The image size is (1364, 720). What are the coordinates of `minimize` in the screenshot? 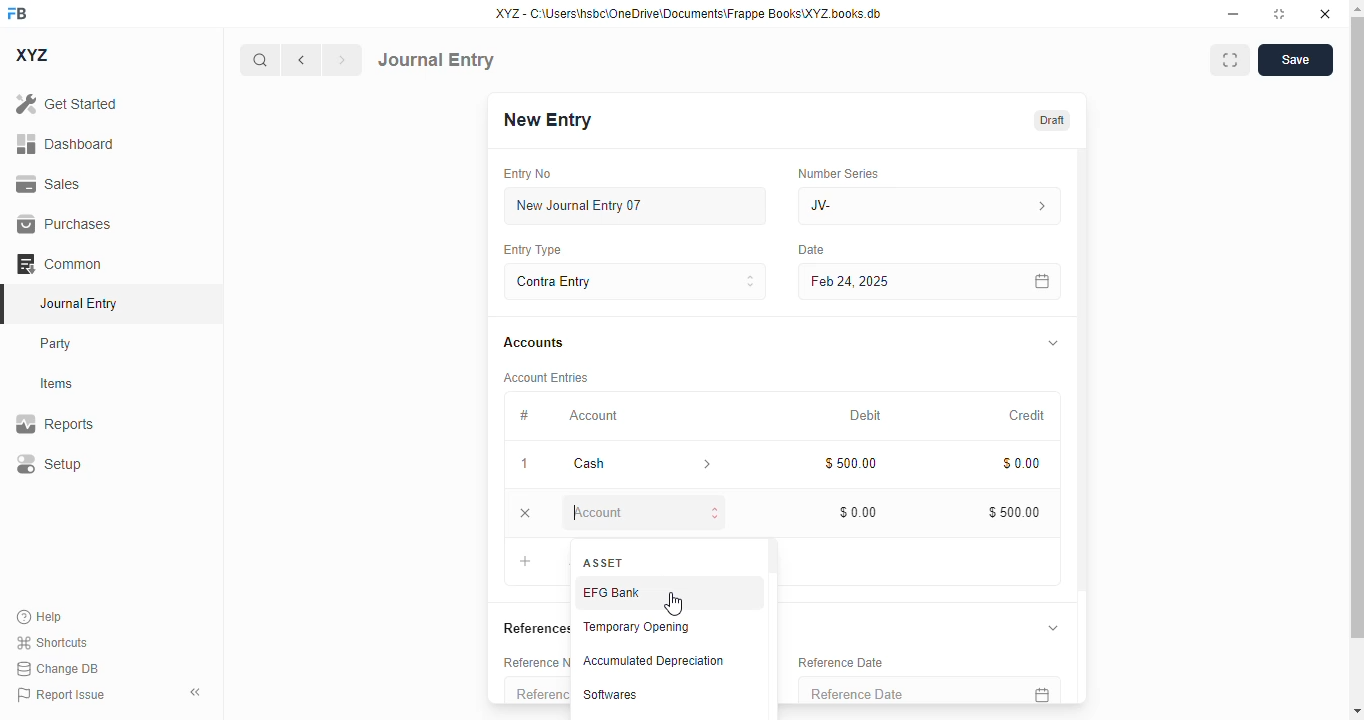 It's located at (1234, 14).